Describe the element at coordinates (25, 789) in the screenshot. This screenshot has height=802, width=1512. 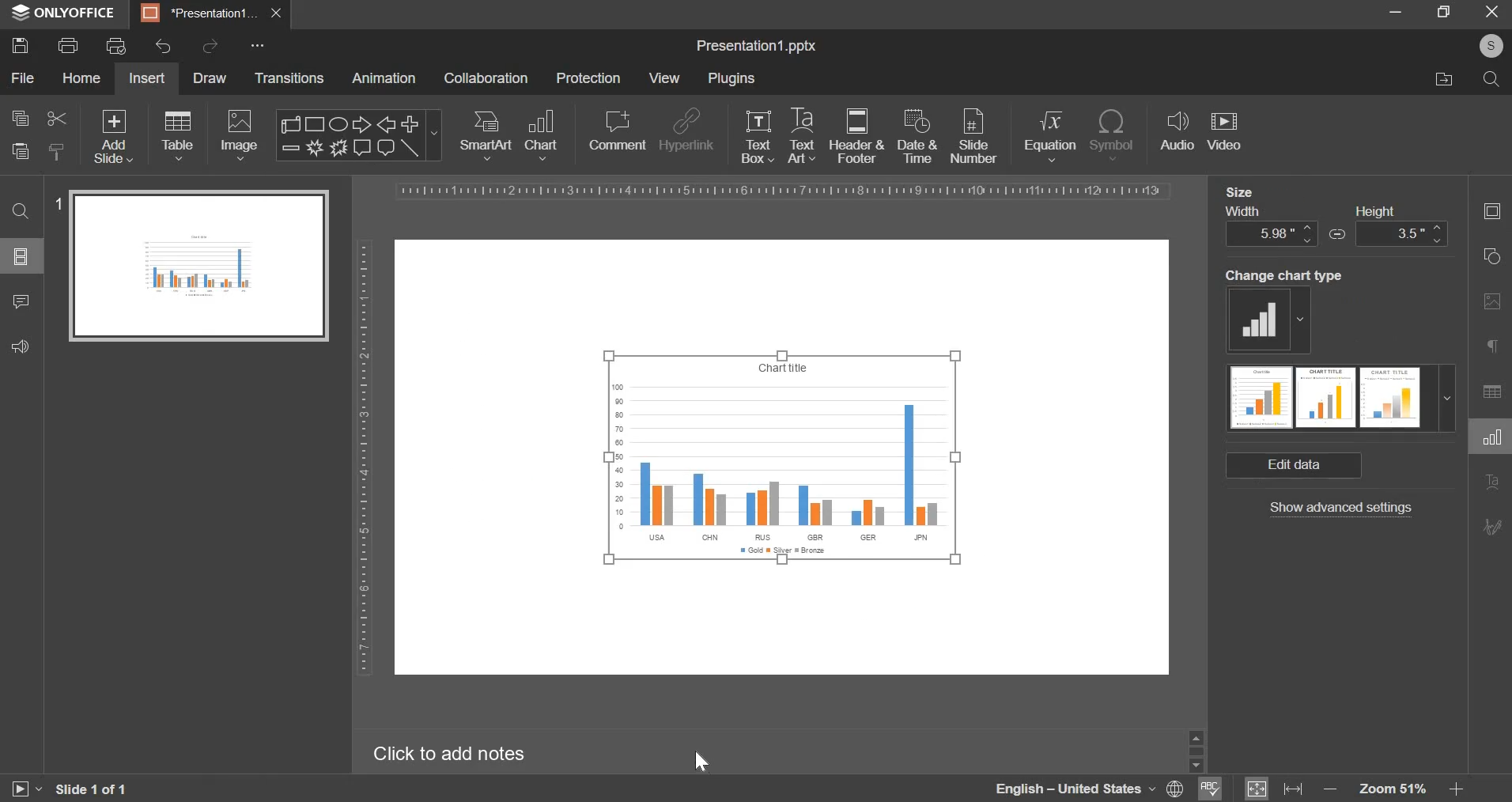
I see `start slide show` at that location.